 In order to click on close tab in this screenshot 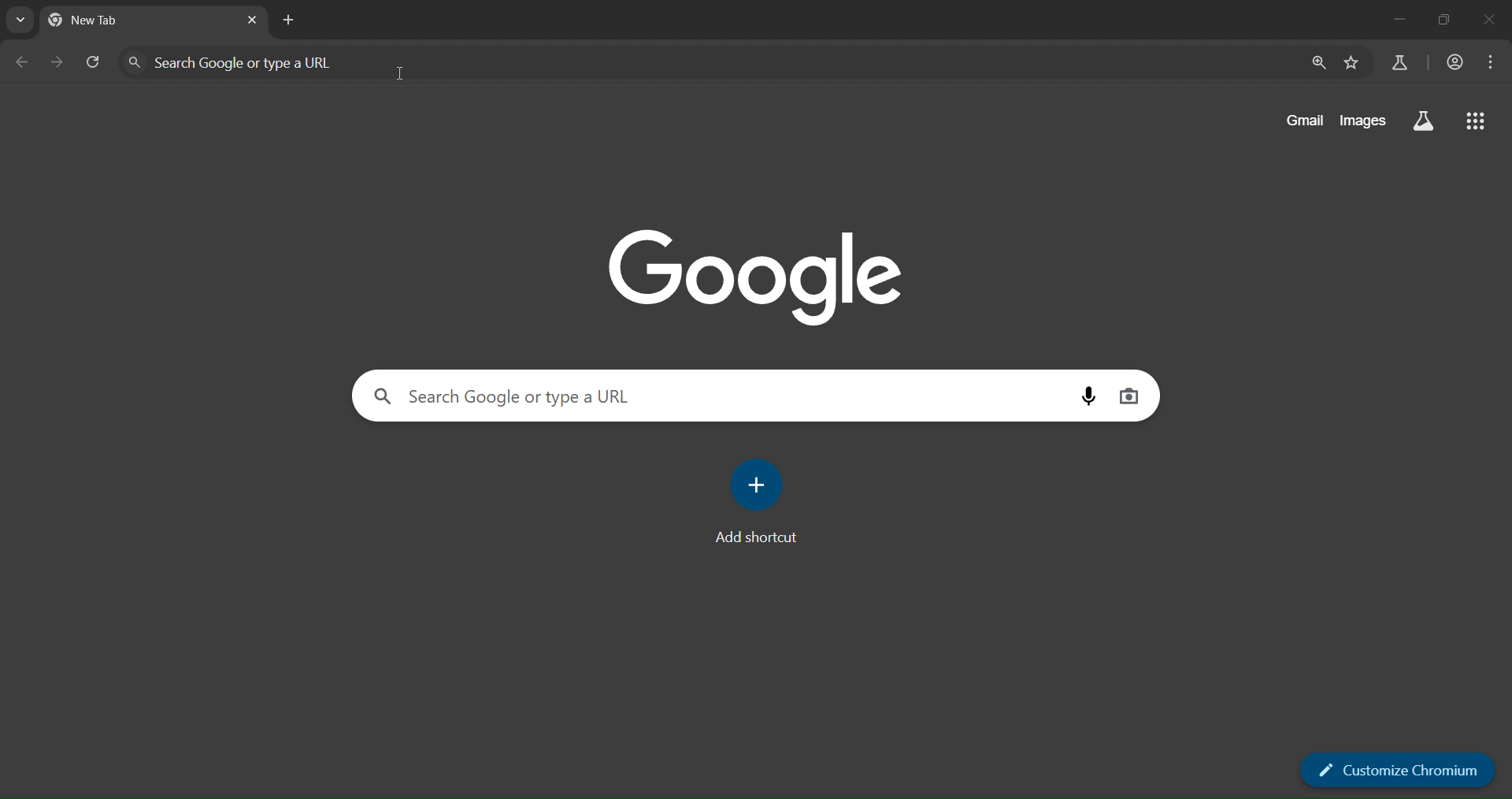, I will do `click(254, 23)`.